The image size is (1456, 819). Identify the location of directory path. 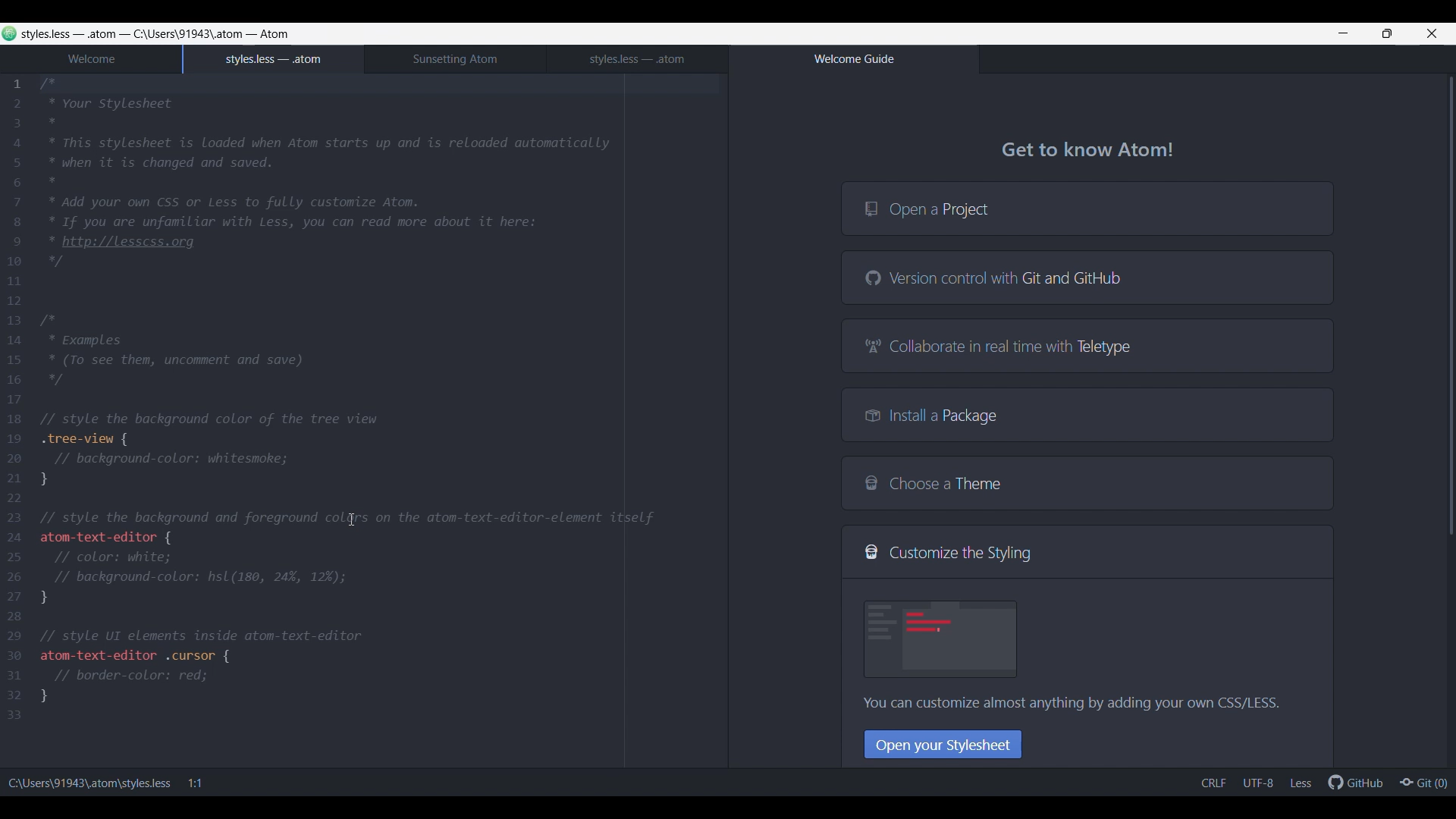
(189, 34).